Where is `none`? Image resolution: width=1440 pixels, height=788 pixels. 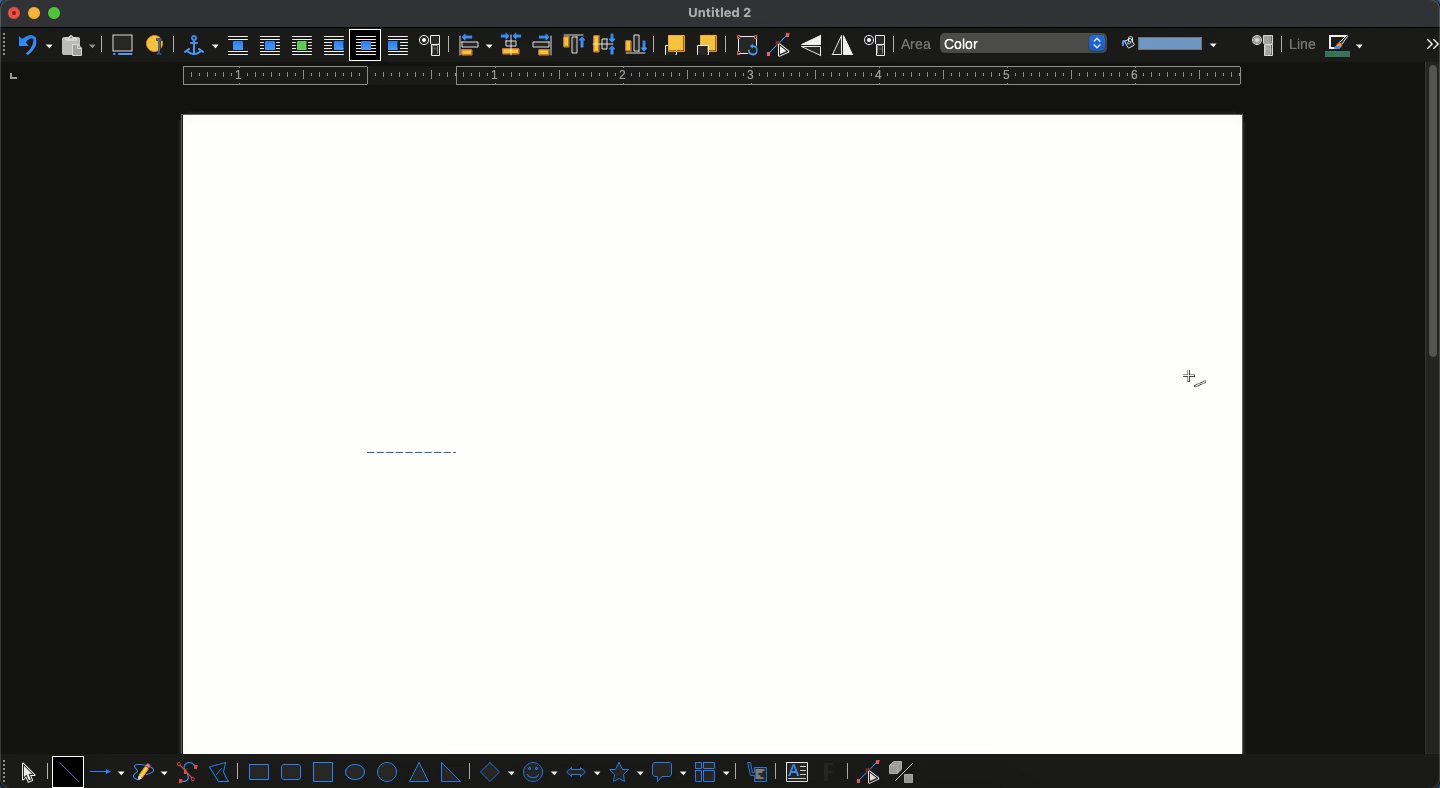
none is located at coordinates (238, 46).